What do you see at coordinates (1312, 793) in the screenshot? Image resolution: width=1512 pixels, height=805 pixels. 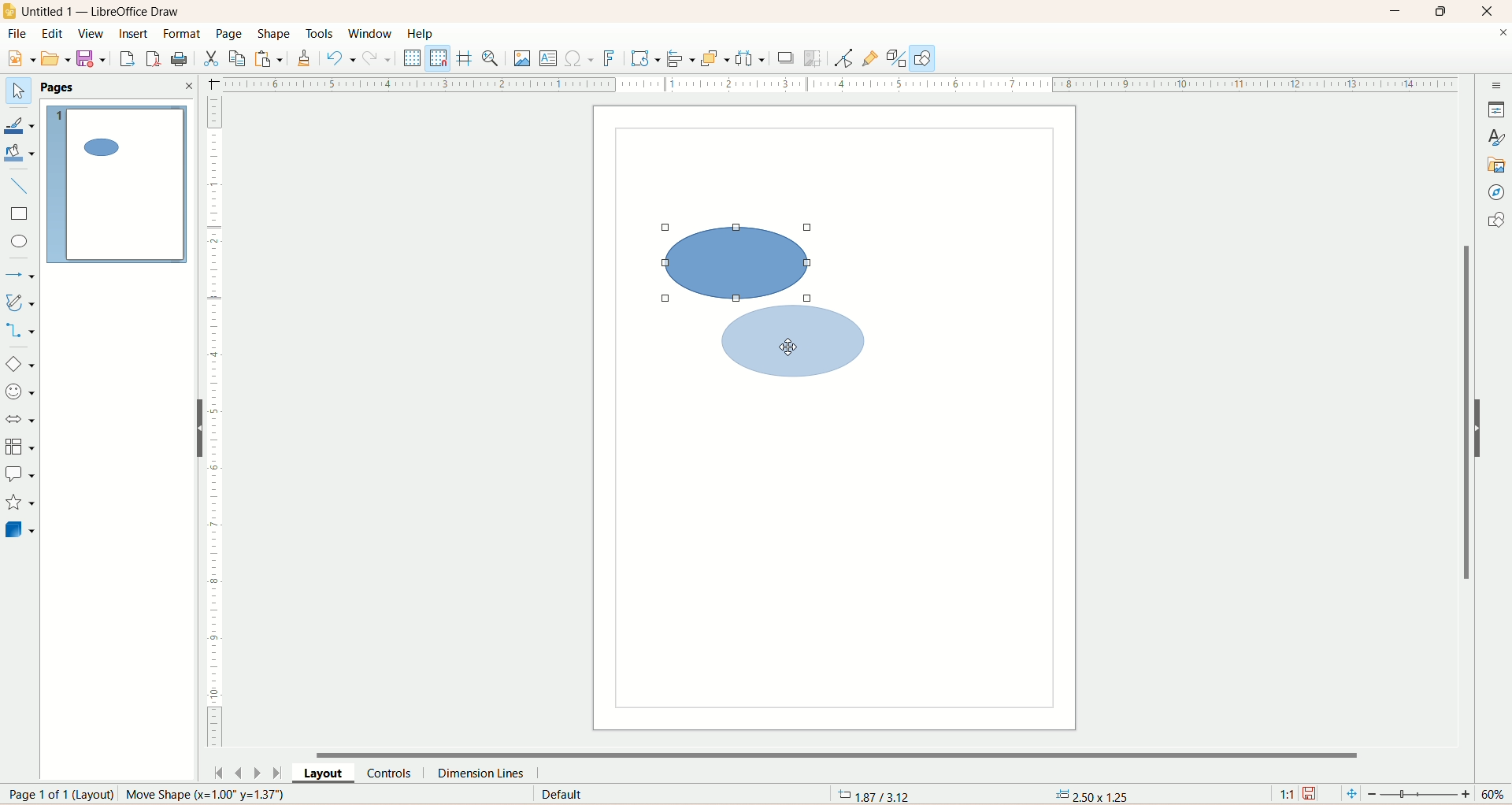 I see `save` at bounding box center [1312, 793].